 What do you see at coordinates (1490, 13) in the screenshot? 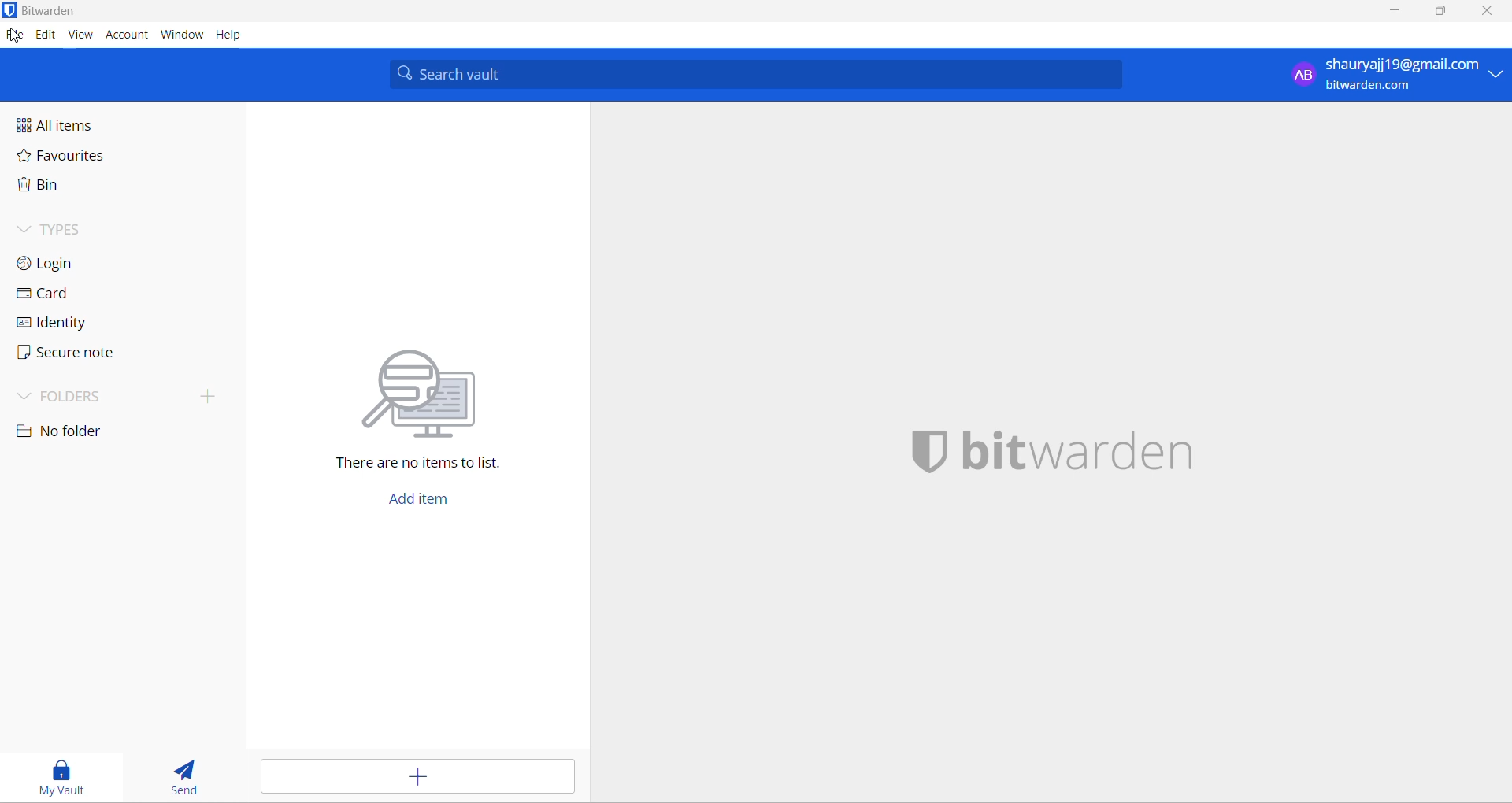
I see `close` at bounding box center [1490, 13].